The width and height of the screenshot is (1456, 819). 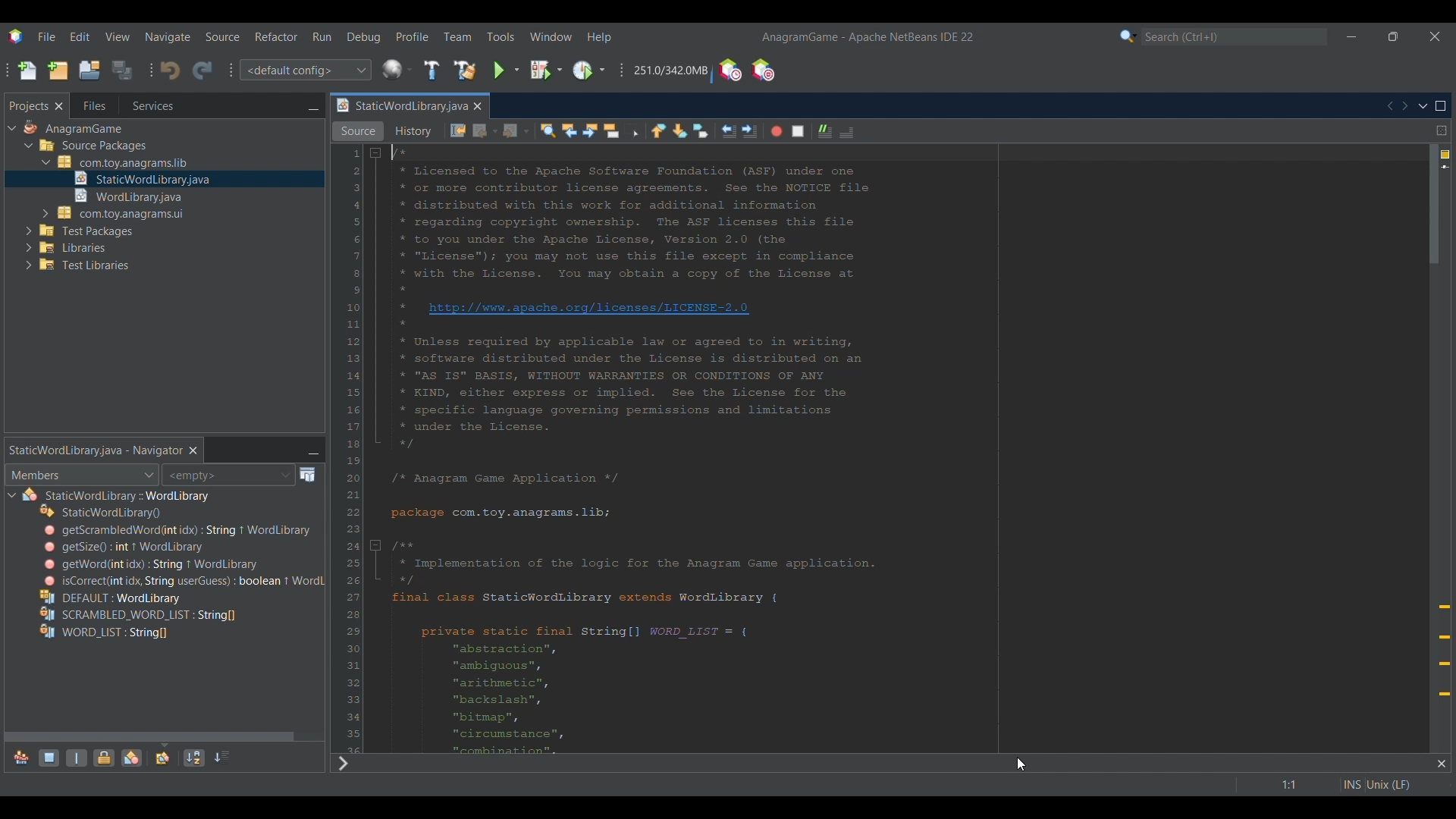 I want to click on Edit menu, so click(x=80, y=35).